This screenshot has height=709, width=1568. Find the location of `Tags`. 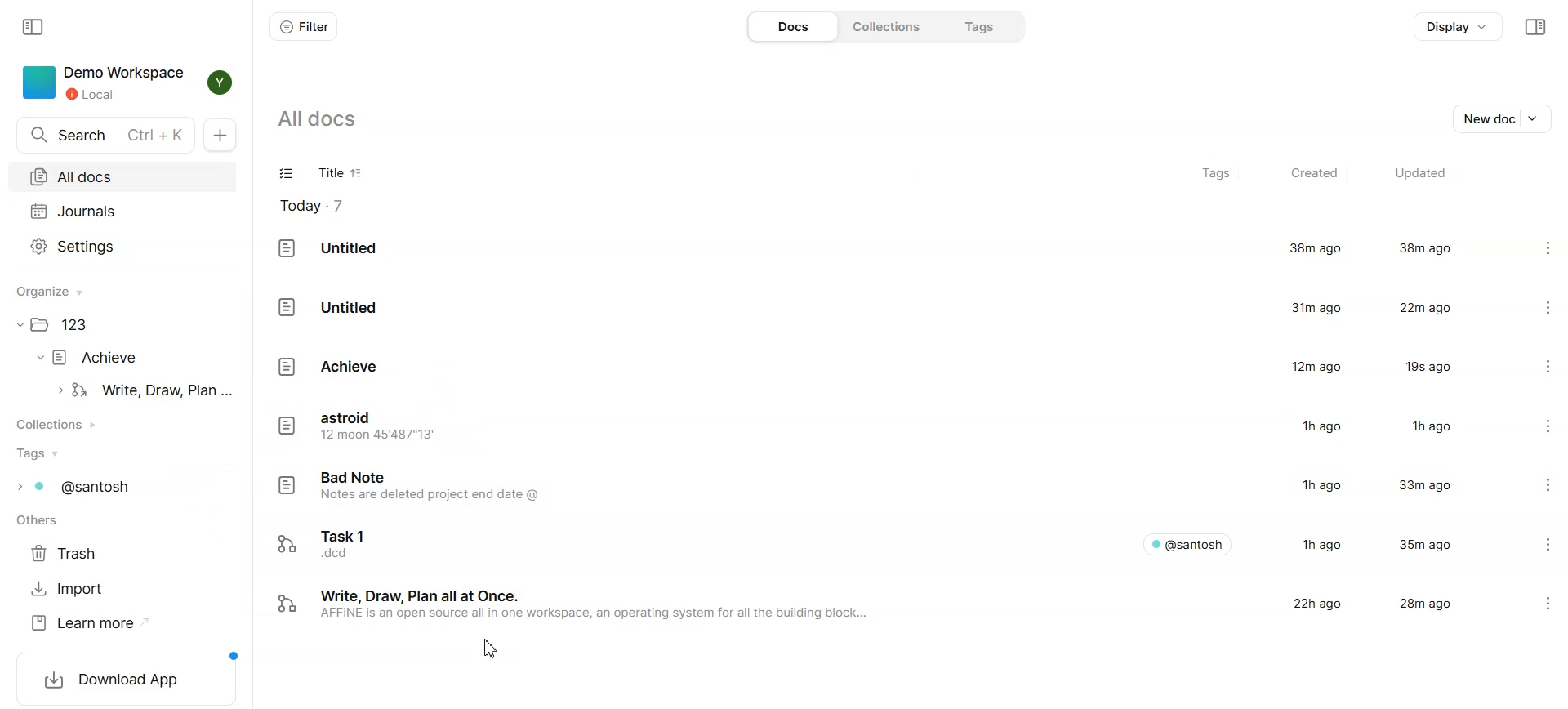

Tags is located at coordinates (975, 26).